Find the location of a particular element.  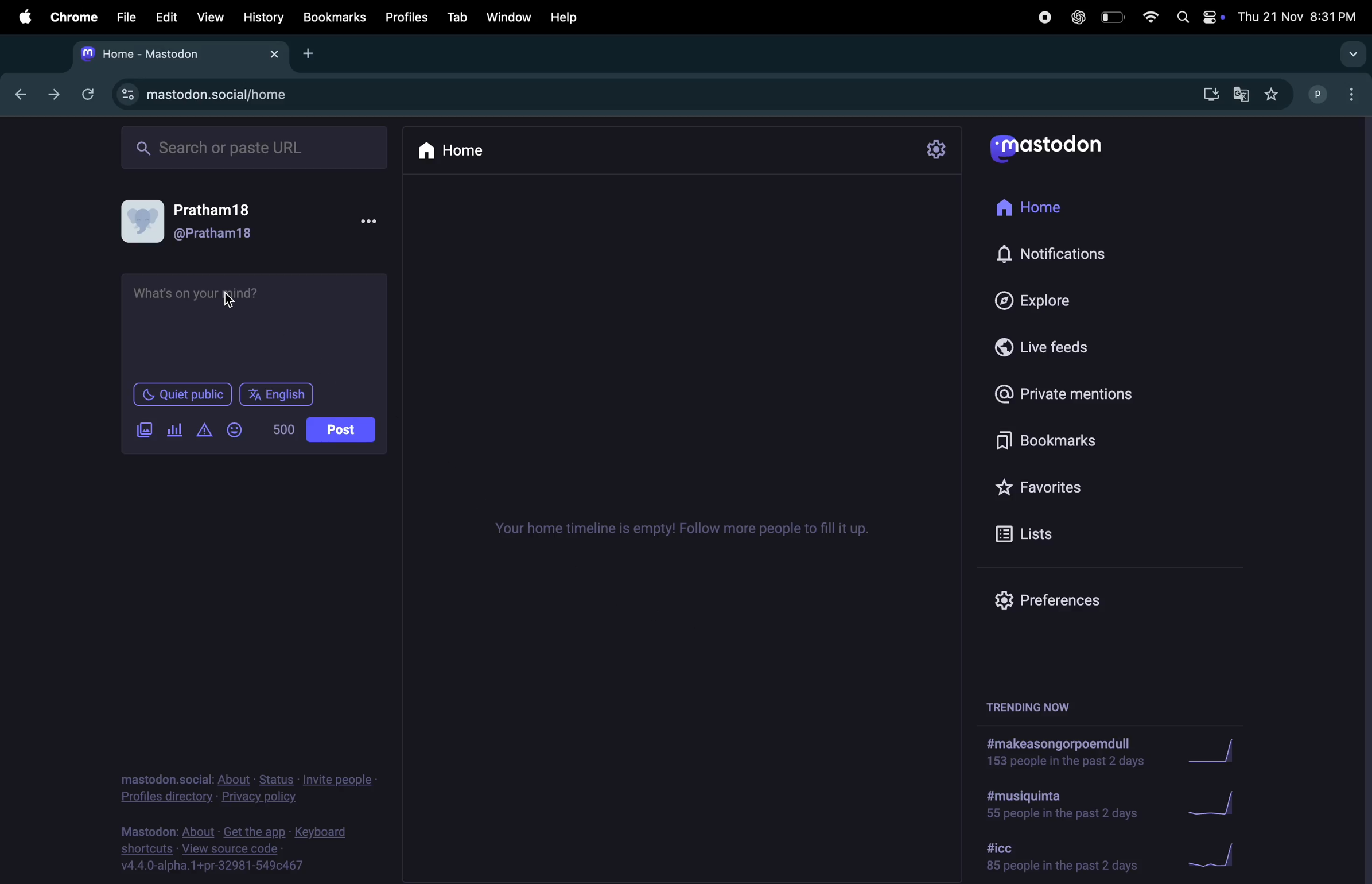

source code is located at coordinates (239, 848).